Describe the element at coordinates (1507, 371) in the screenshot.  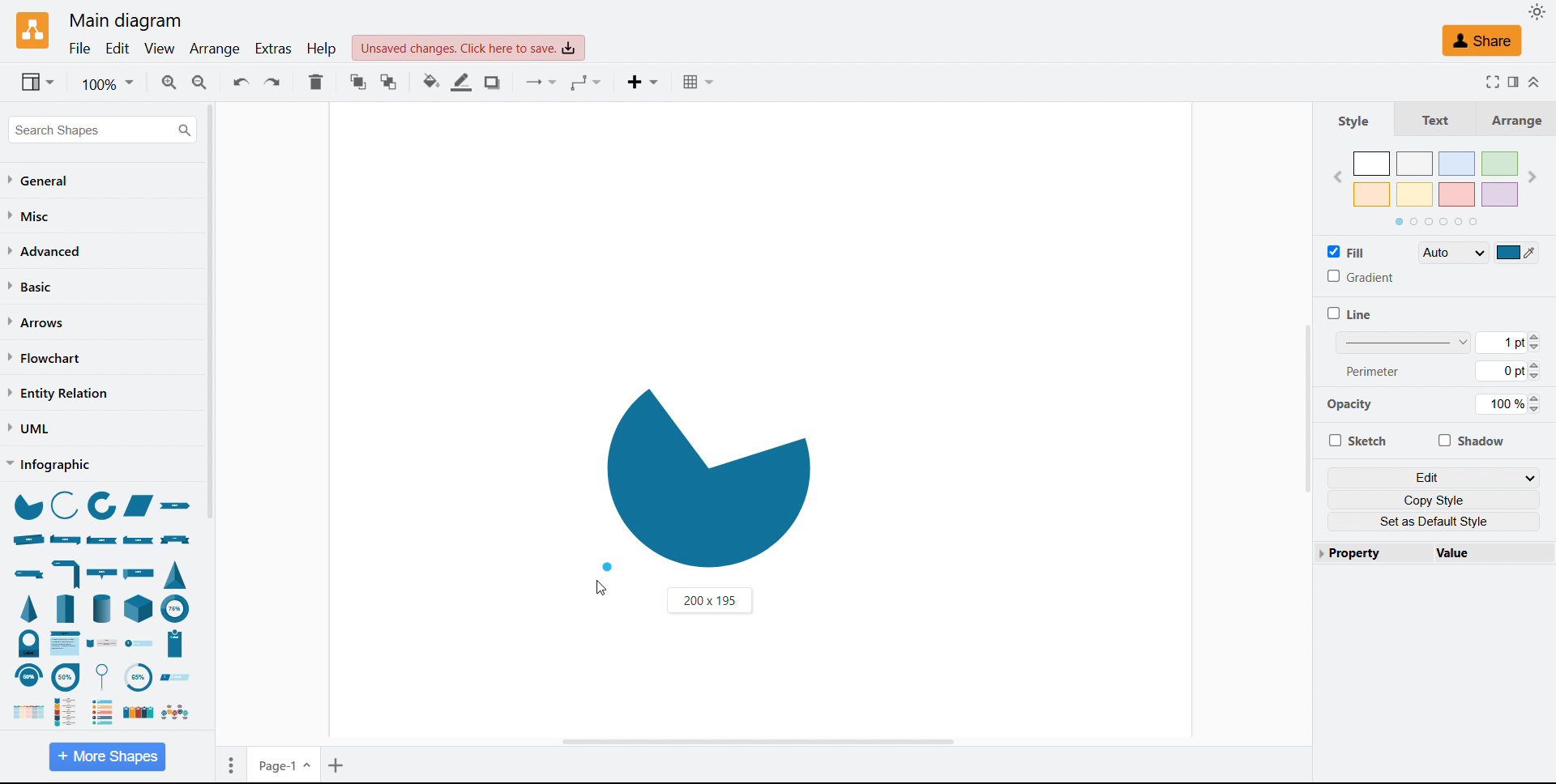
I see `Set line perimeter ` at that location.